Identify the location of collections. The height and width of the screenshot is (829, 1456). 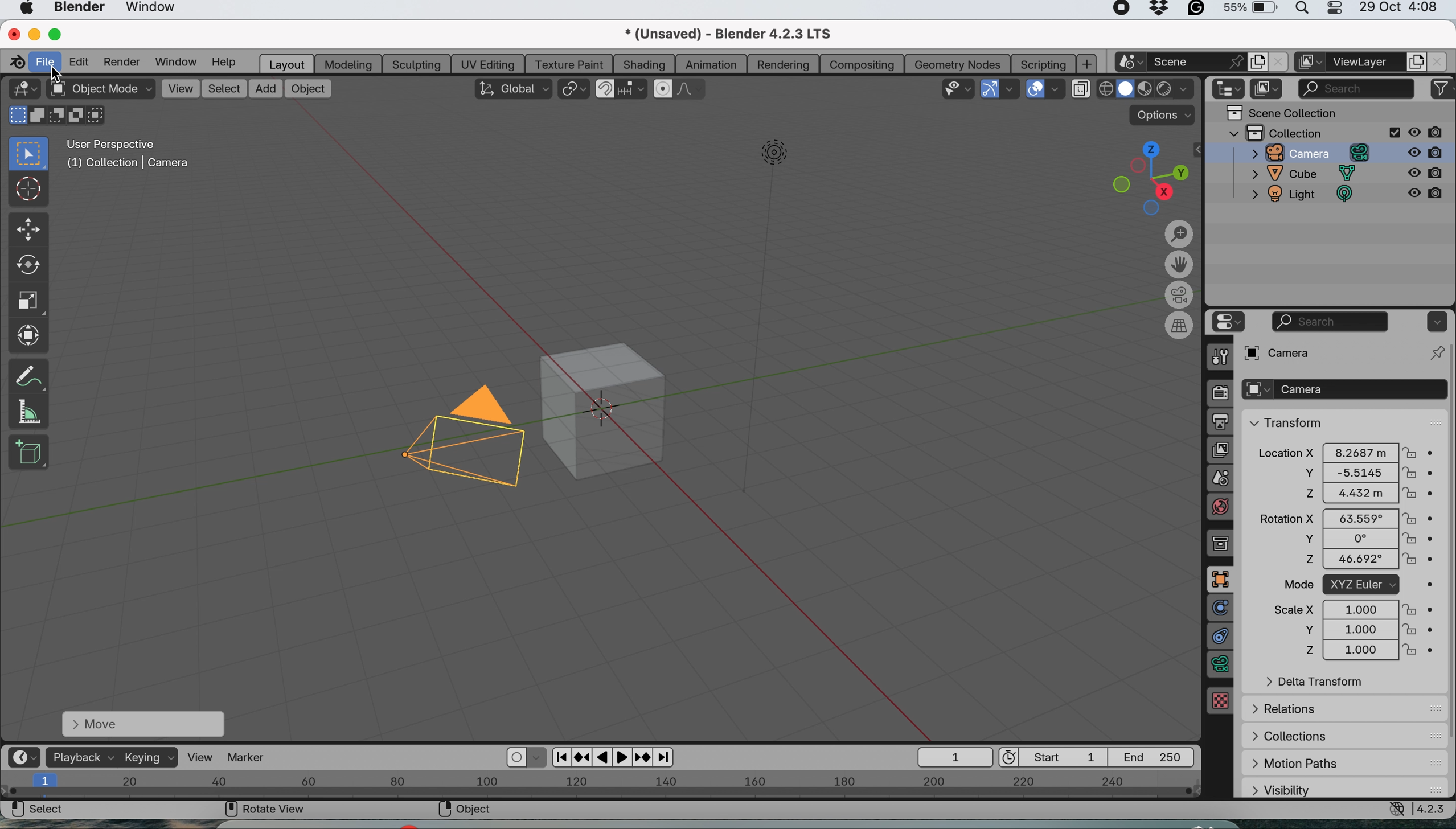
(1295, 733).